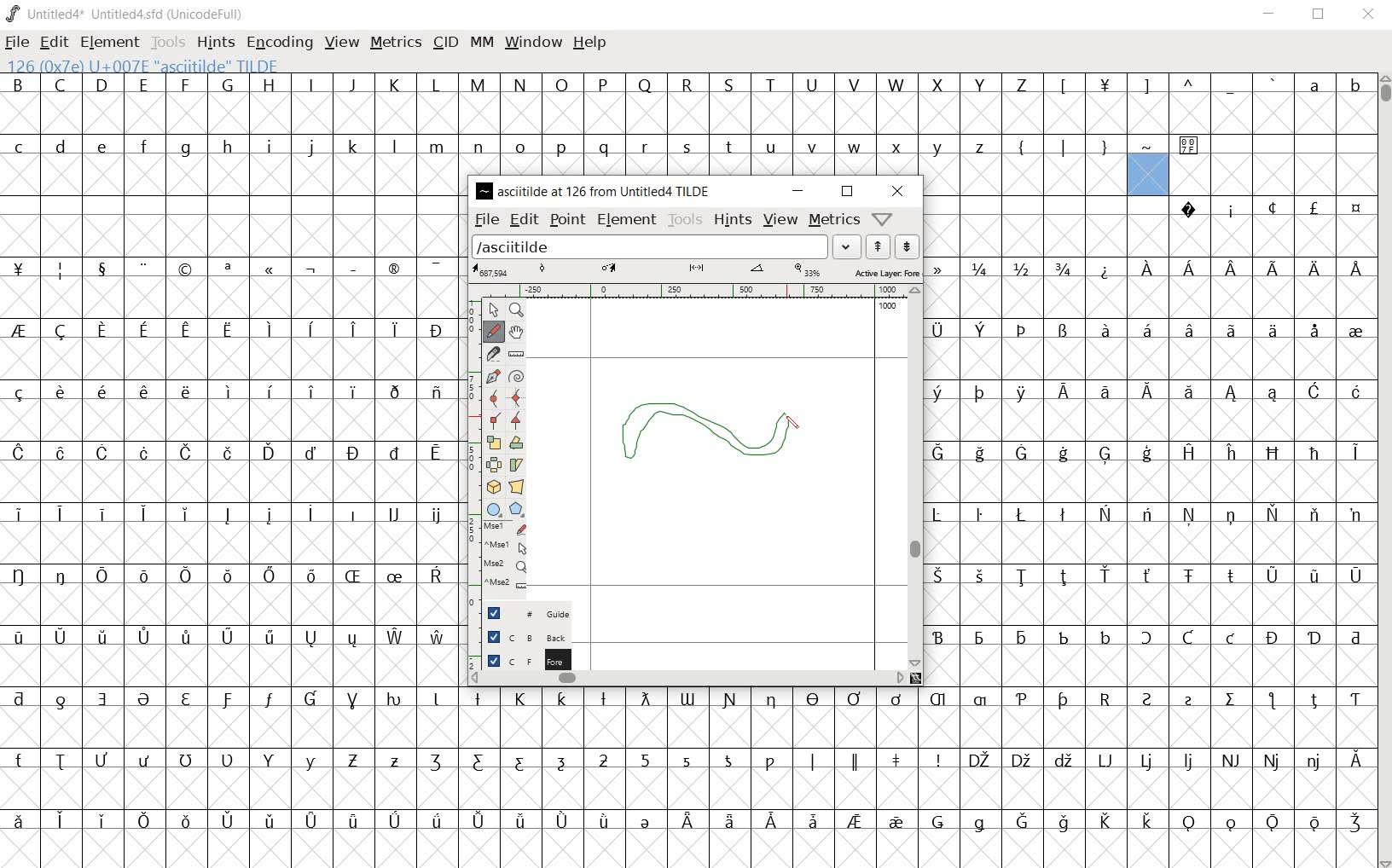 This screenshot has height=868, width=1392. Describe the element at coordinates (884, 219) in the screenshot. I see `Help/Window` at that location.